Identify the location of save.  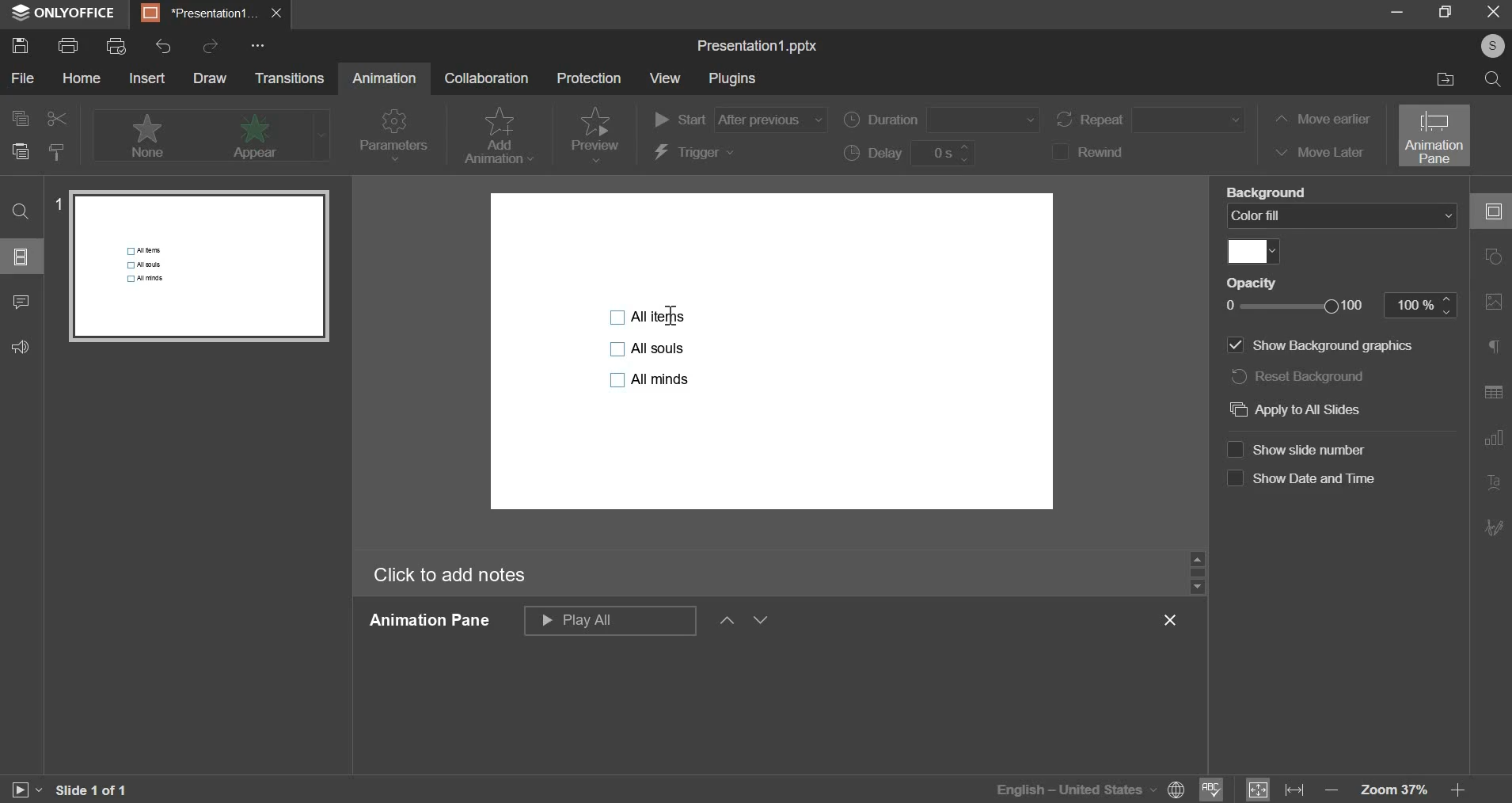
(19, 45).